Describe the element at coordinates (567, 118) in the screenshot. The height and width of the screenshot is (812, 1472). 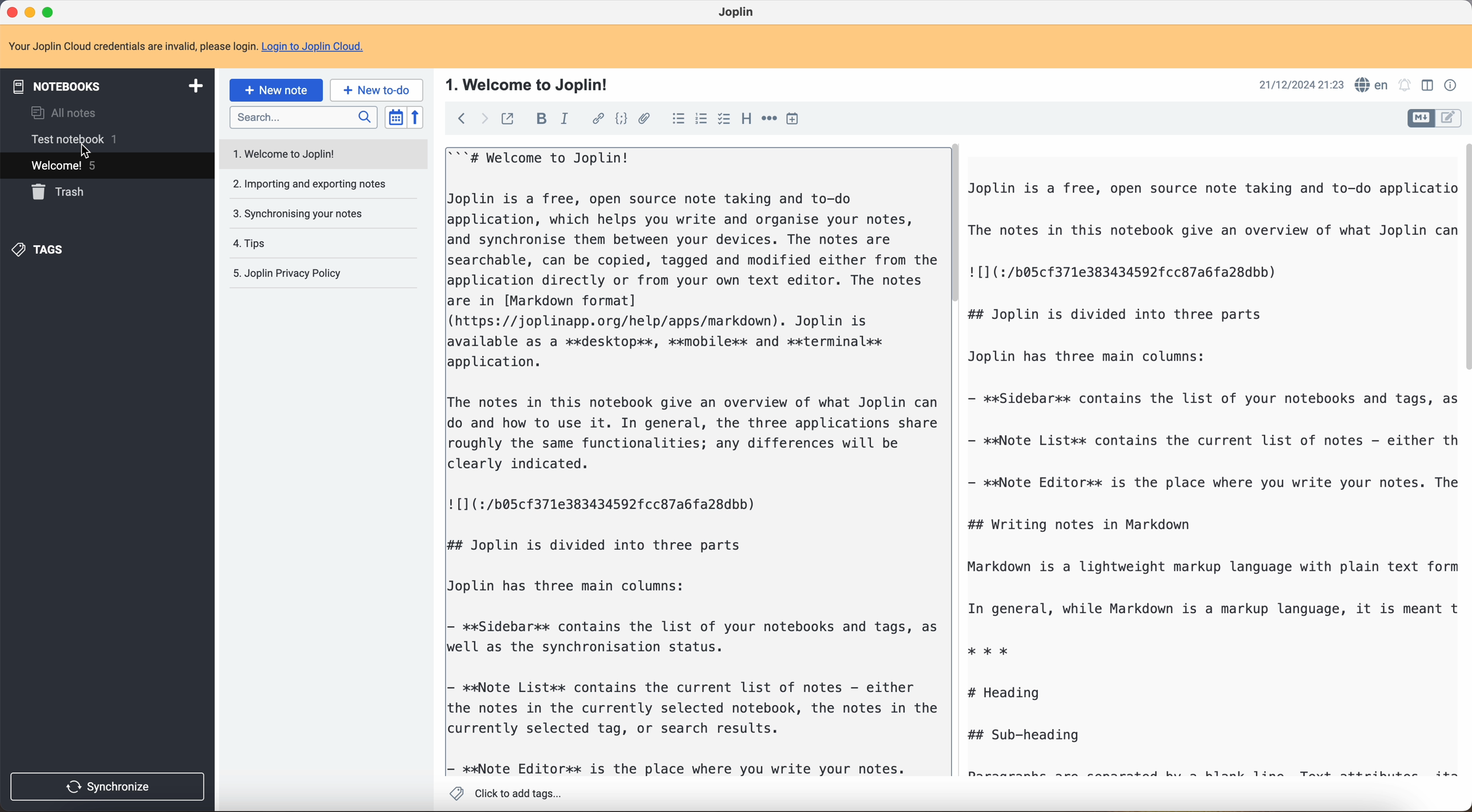
I see `italic` at that location.